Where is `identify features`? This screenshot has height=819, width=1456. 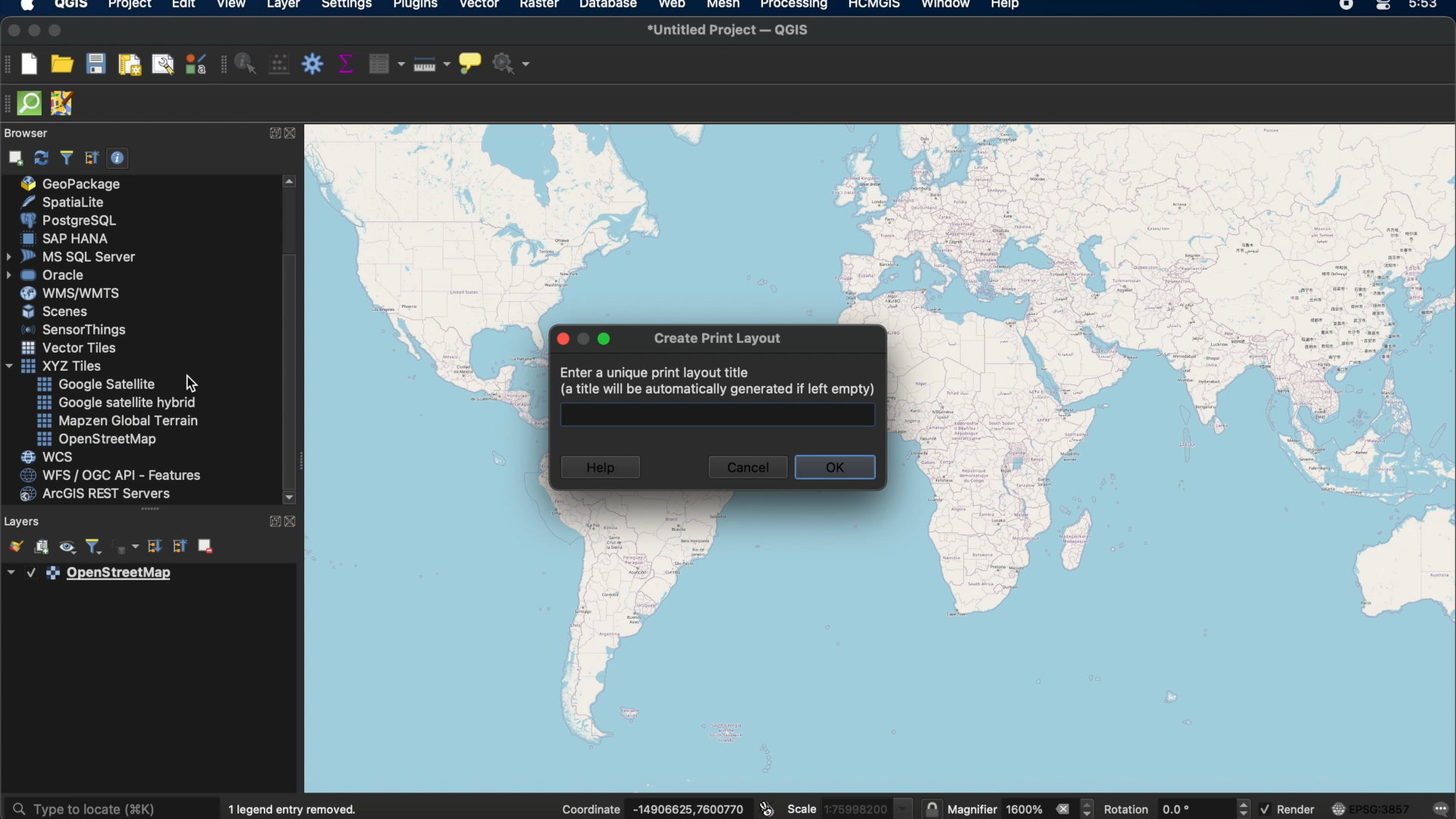
identify features is located at coordinates (246, 62).